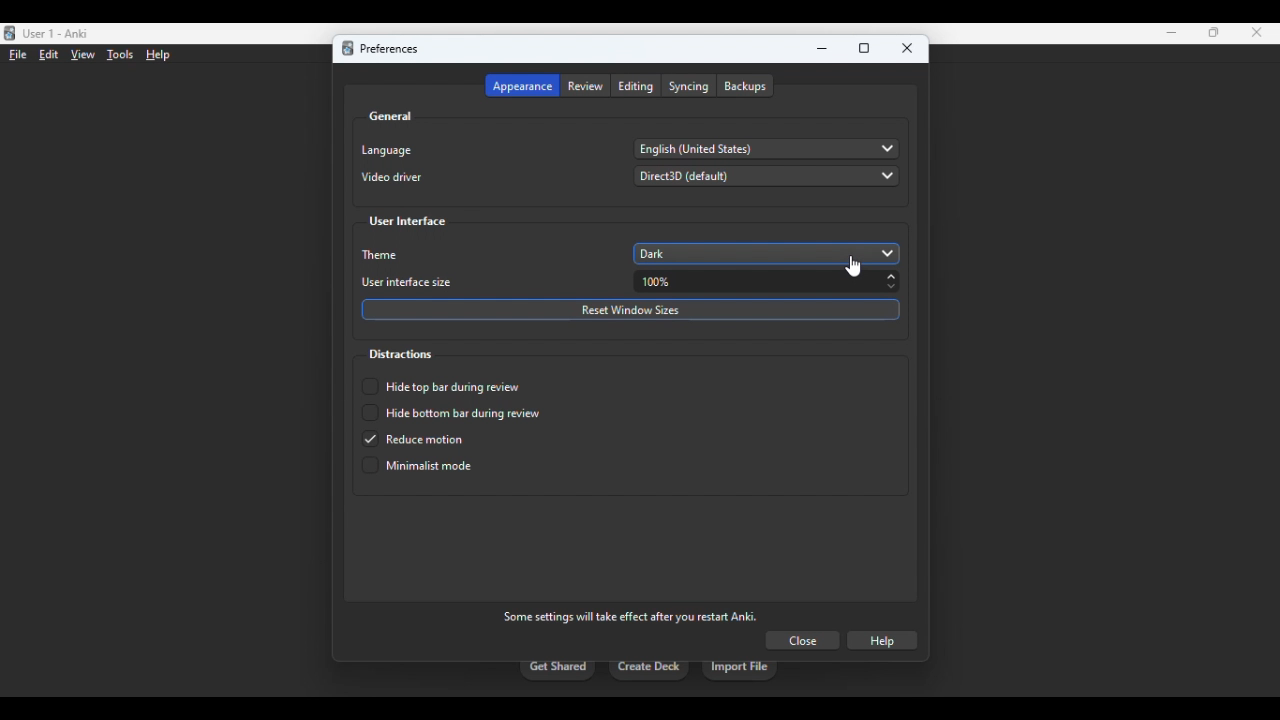 This screenshot has width=1280, height=720. What do you see at coordinates (347, 48) in the screenshot?
I see `logo` at bounding box center [347, 48].